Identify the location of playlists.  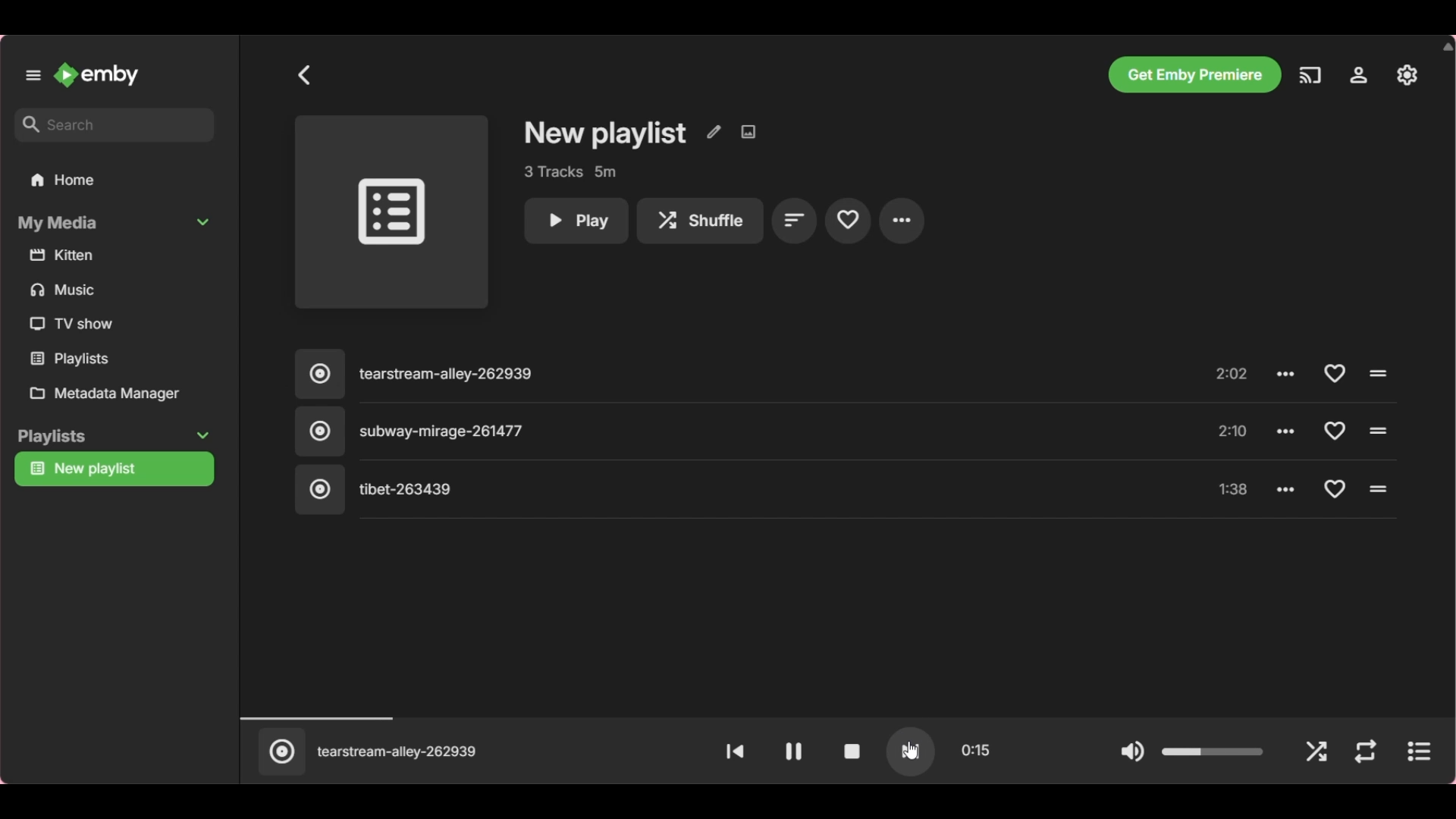
(77, 359).